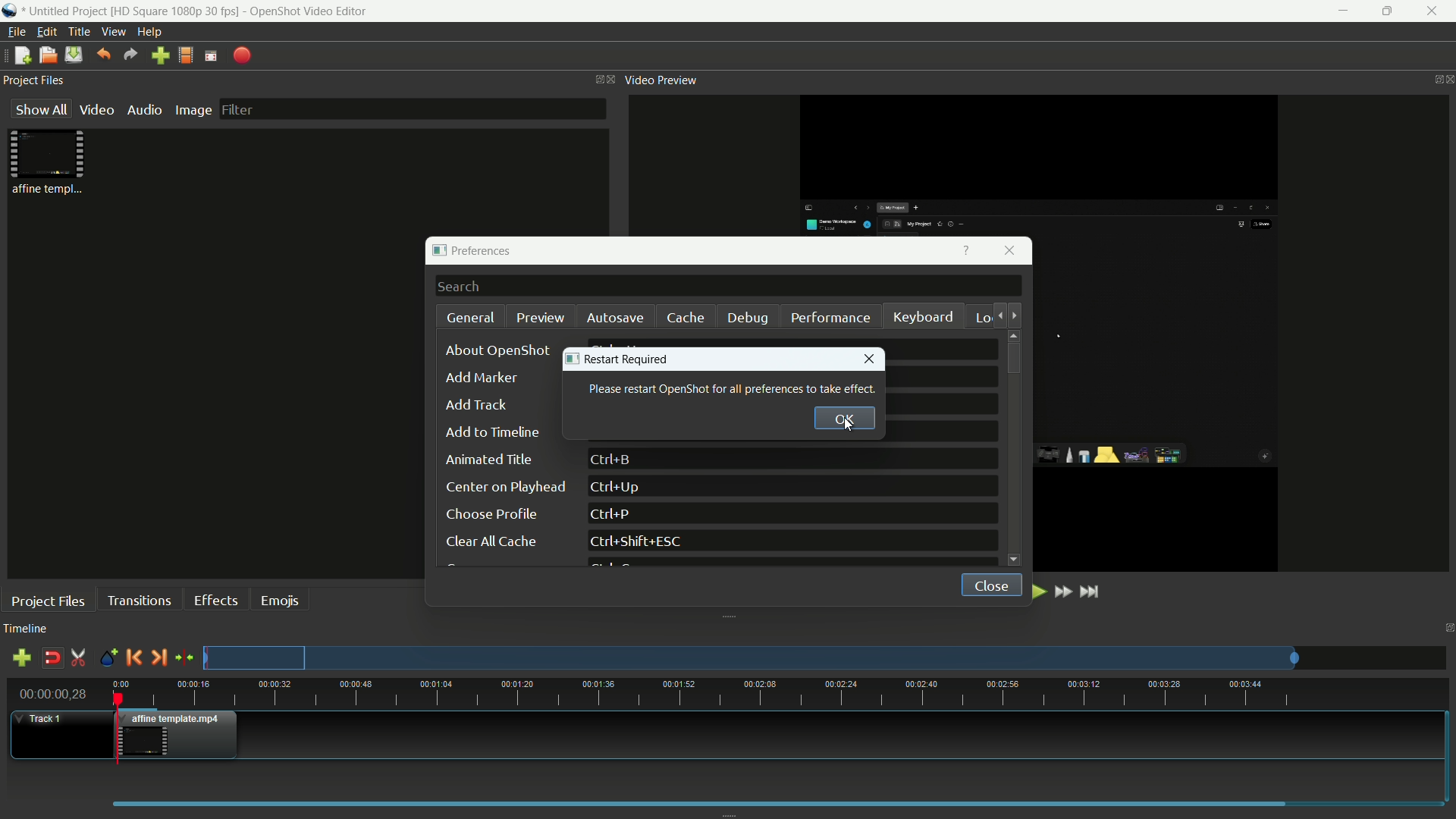 The height and width of the screenshot is (819, 1456). Describe the element at coordinates (1093, 591) in the screenshot. I see `jump to end` at that location.